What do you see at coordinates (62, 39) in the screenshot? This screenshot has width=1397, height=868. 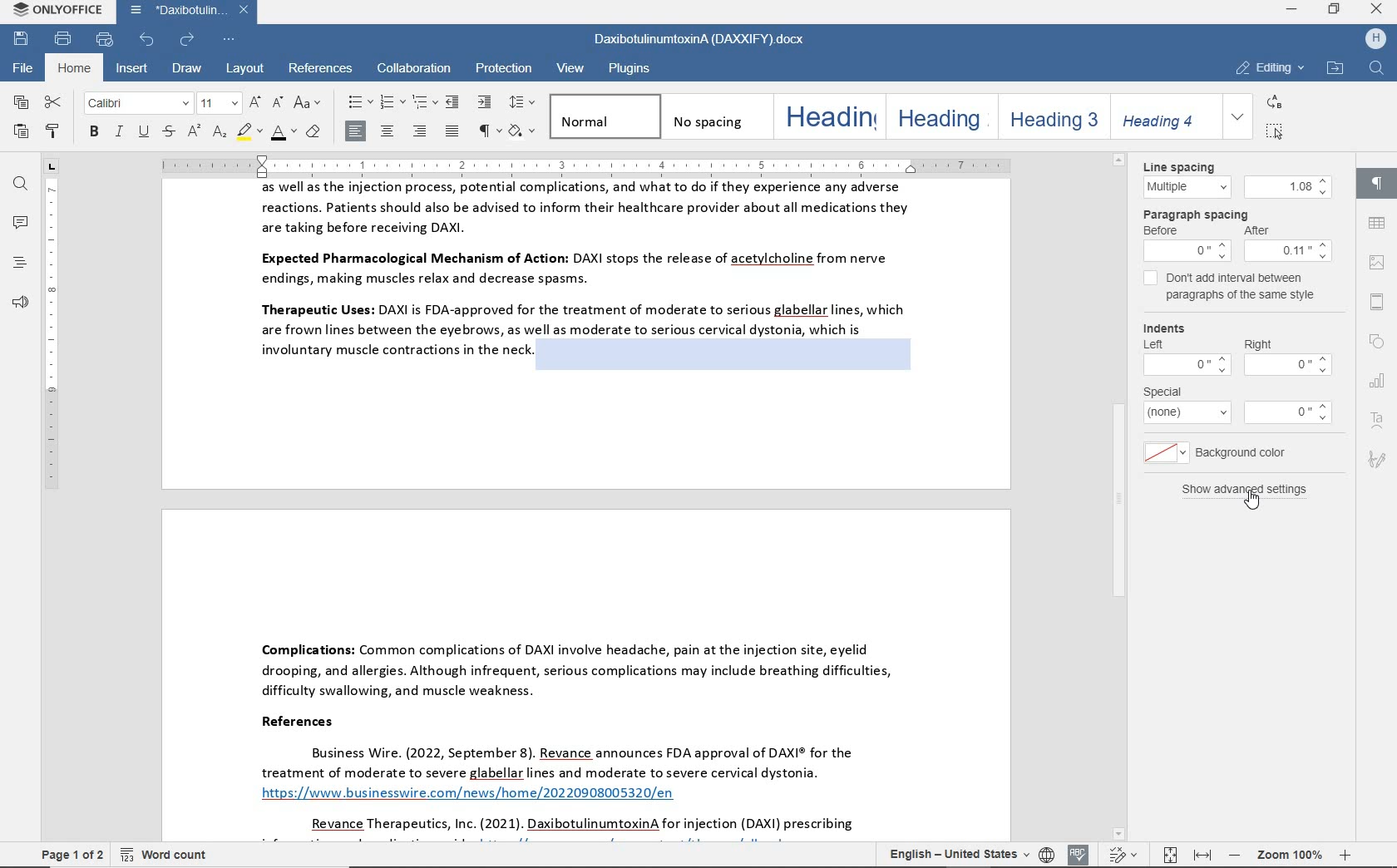 I see `print` at bounding box center [62, 39].